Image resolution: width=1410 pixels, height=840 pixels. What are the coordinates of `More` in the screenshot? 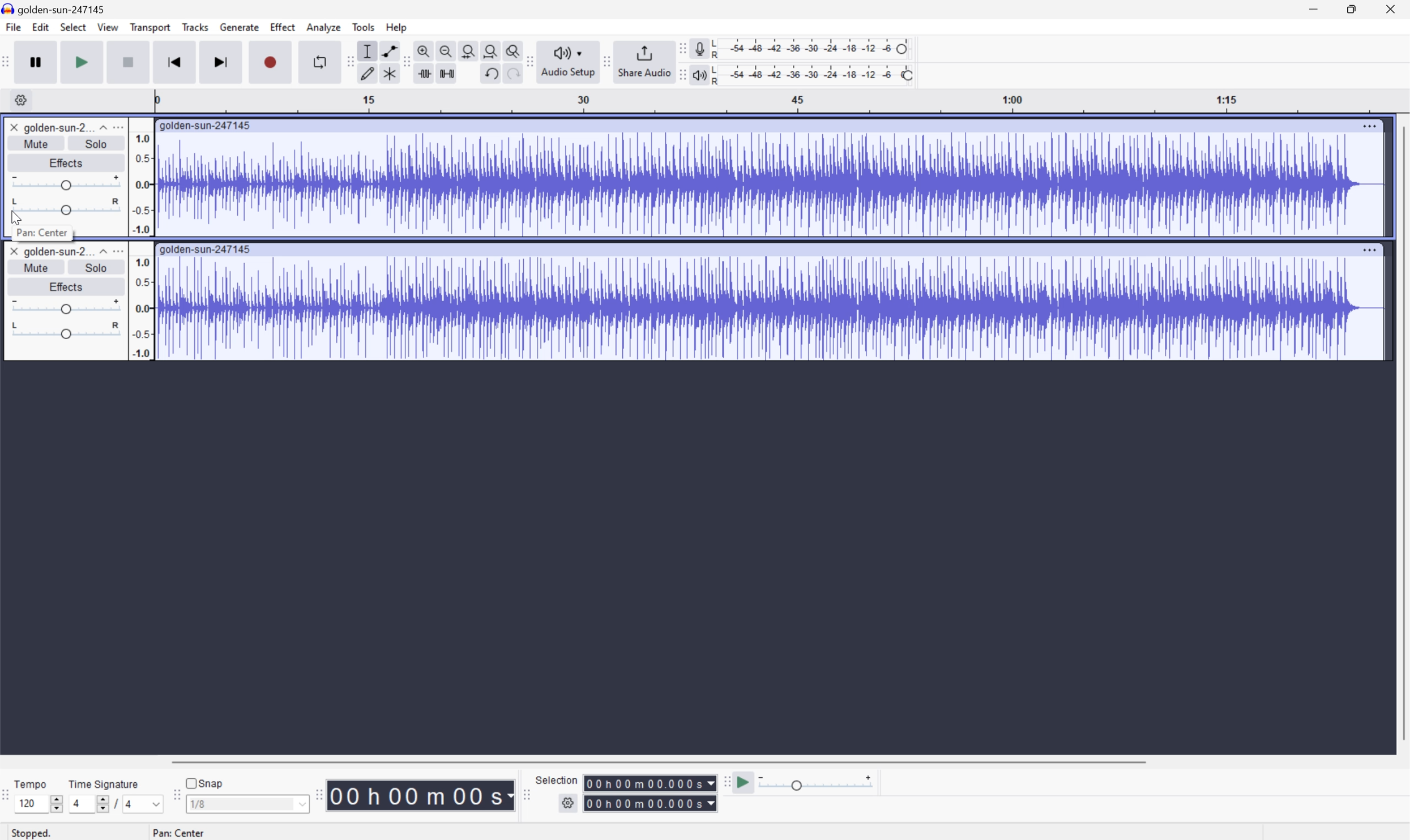 It's located at (1370, 126).